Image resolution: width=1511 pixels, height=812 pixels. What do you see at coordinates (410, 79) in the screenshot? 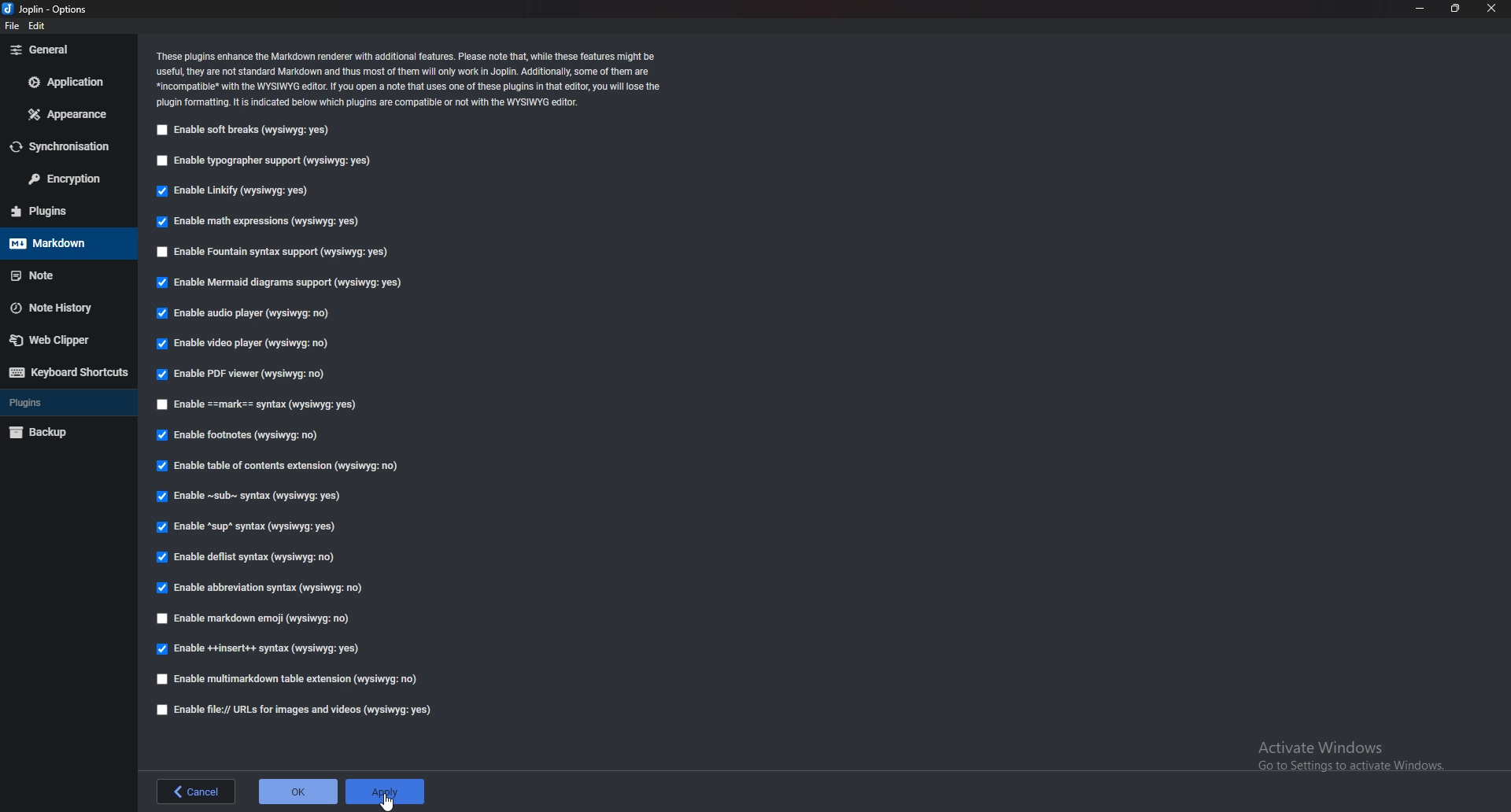
I see `Info` at bounding box center [410, 79].